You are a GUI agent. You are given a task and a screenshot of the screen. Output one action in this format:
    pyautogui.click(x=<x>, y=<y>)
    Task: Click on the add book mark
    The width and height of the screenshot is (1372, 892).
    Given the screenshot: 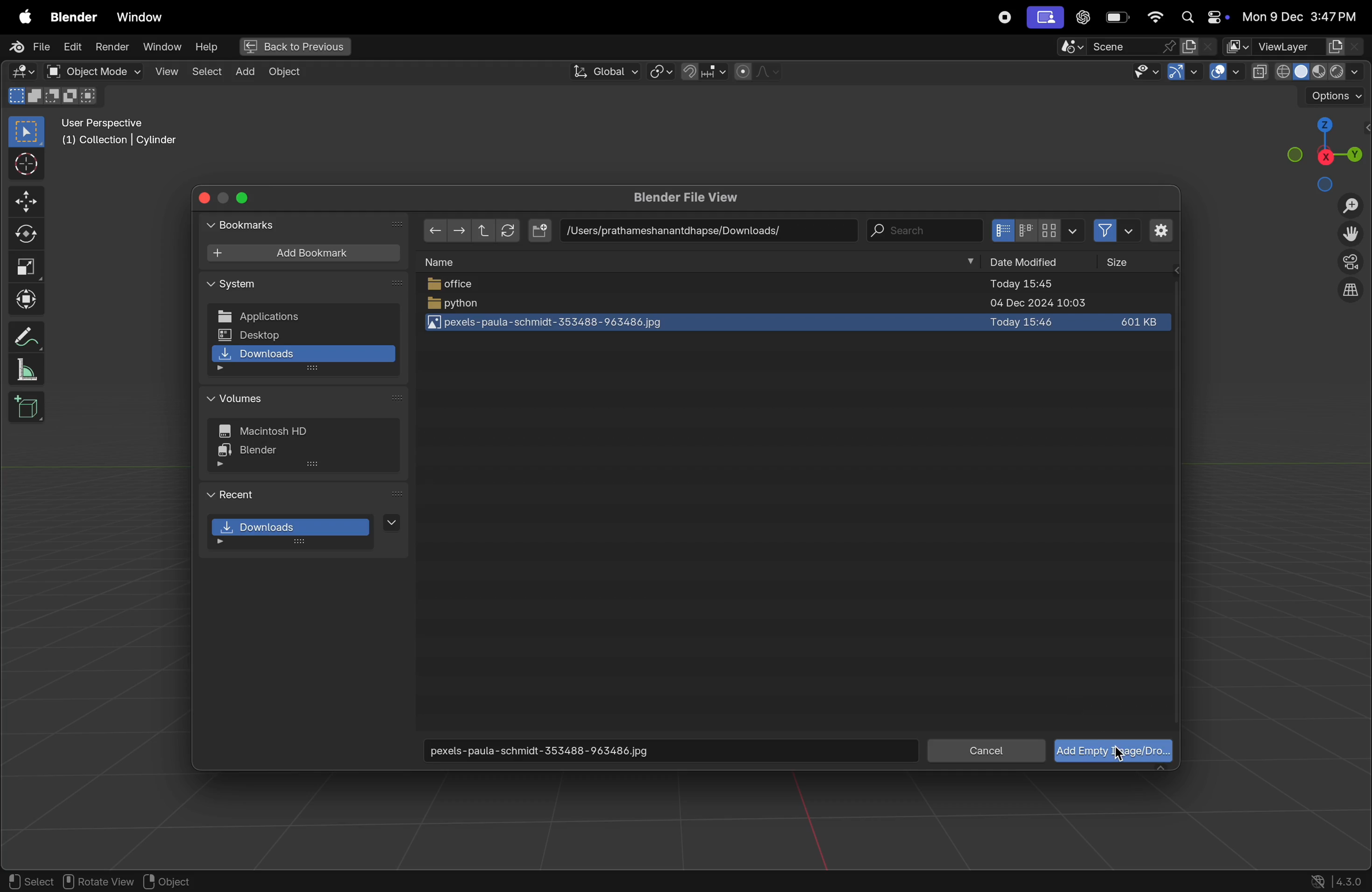 What is the action you would take?
    pyautogui.click(x=303, y=254)
    